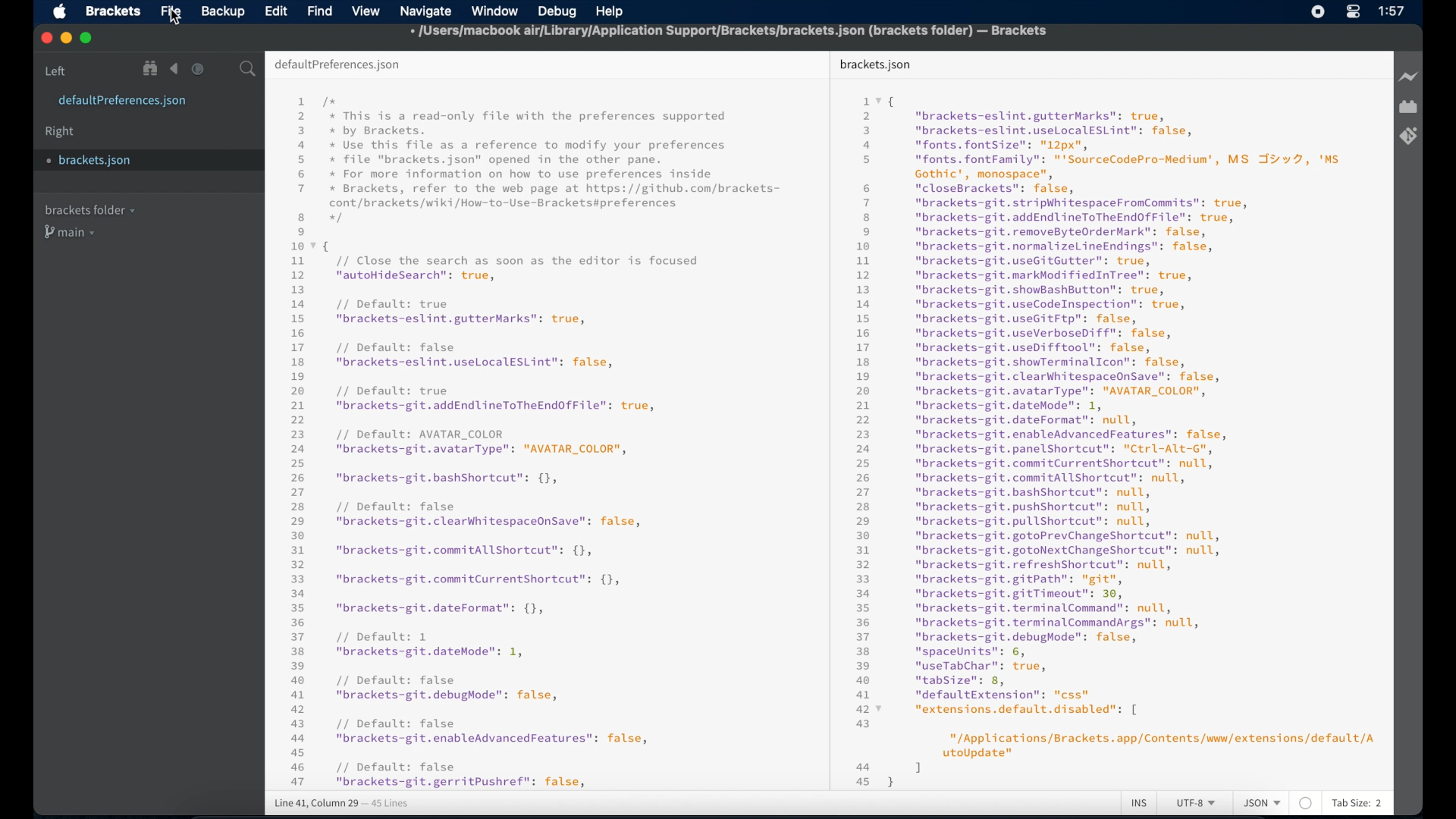  I want to click on navigate backward, so click(174, 69).